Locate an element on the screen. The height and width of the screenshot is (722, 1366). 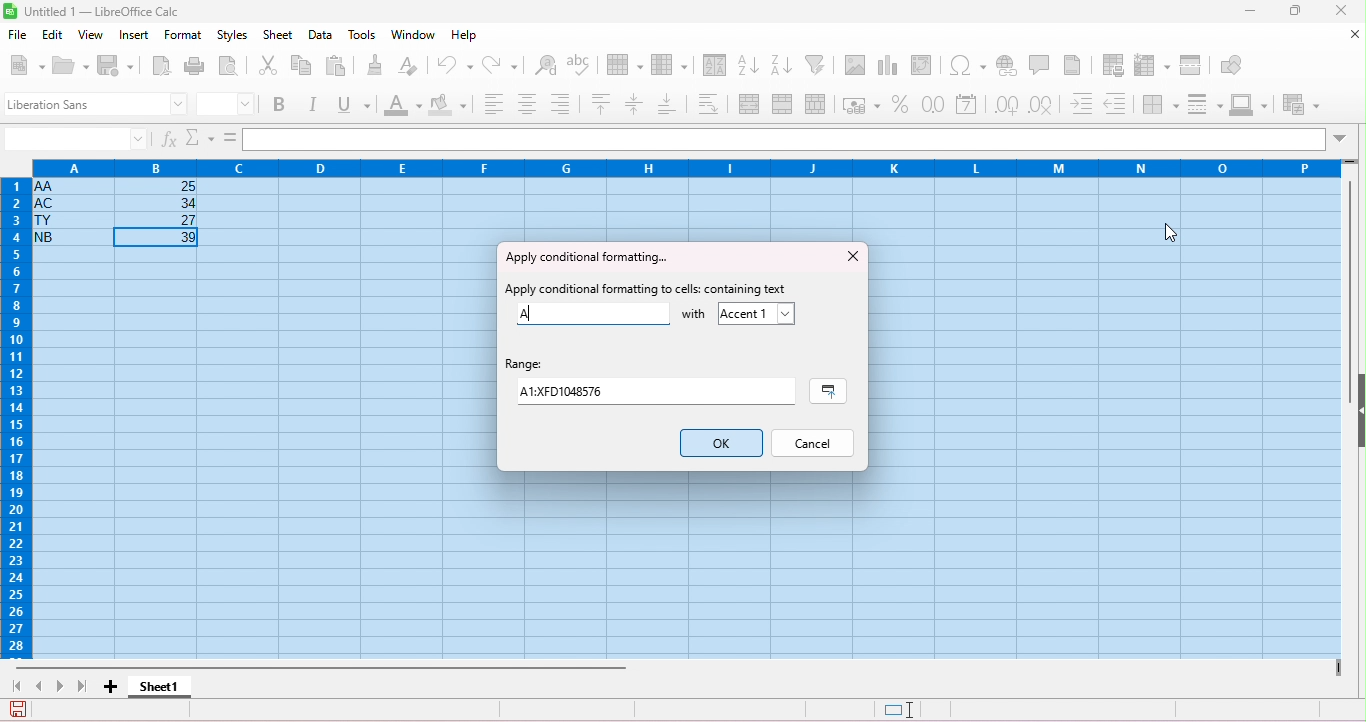
last sheet is located at coordinates (82, 687).